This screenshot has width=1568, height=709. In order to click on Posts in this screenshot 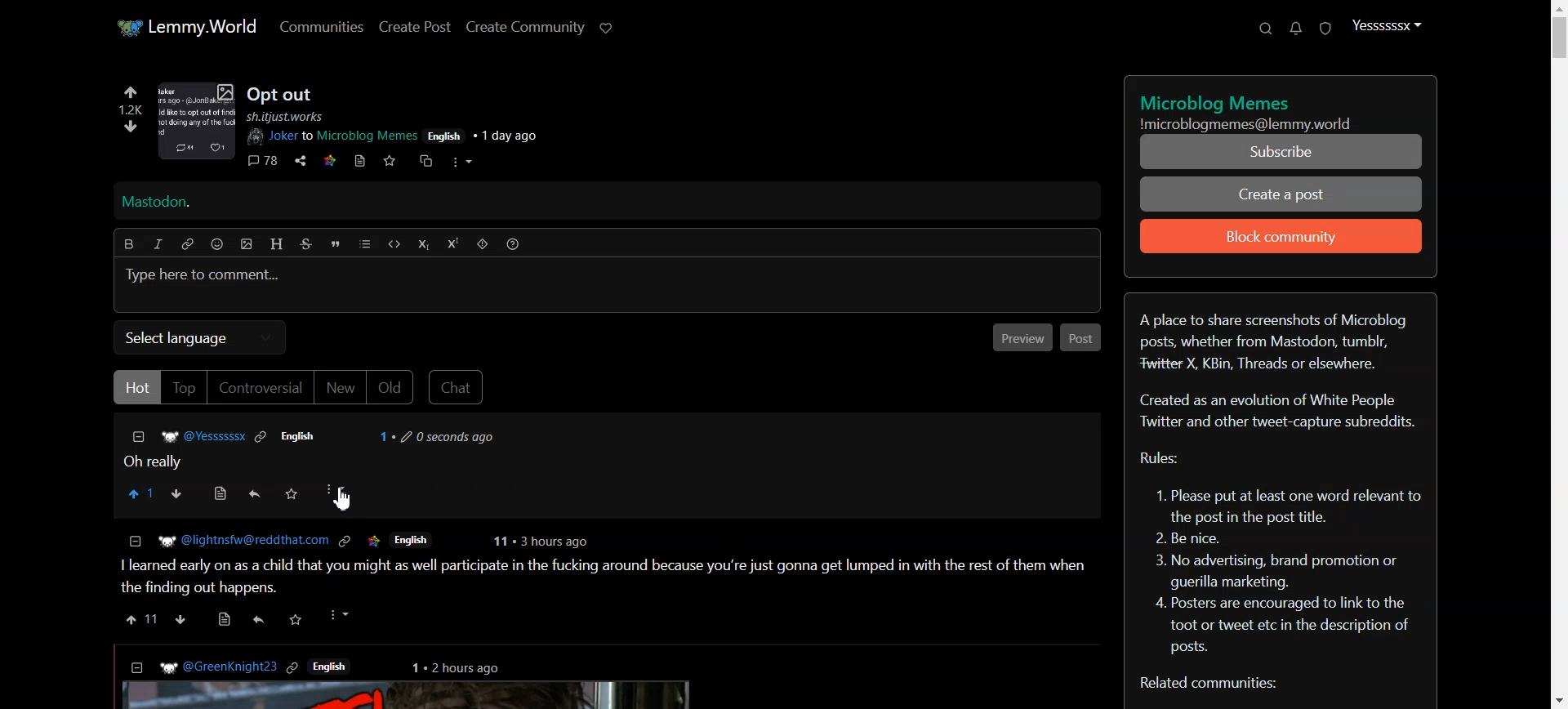, I will do `click(281, 90)`.